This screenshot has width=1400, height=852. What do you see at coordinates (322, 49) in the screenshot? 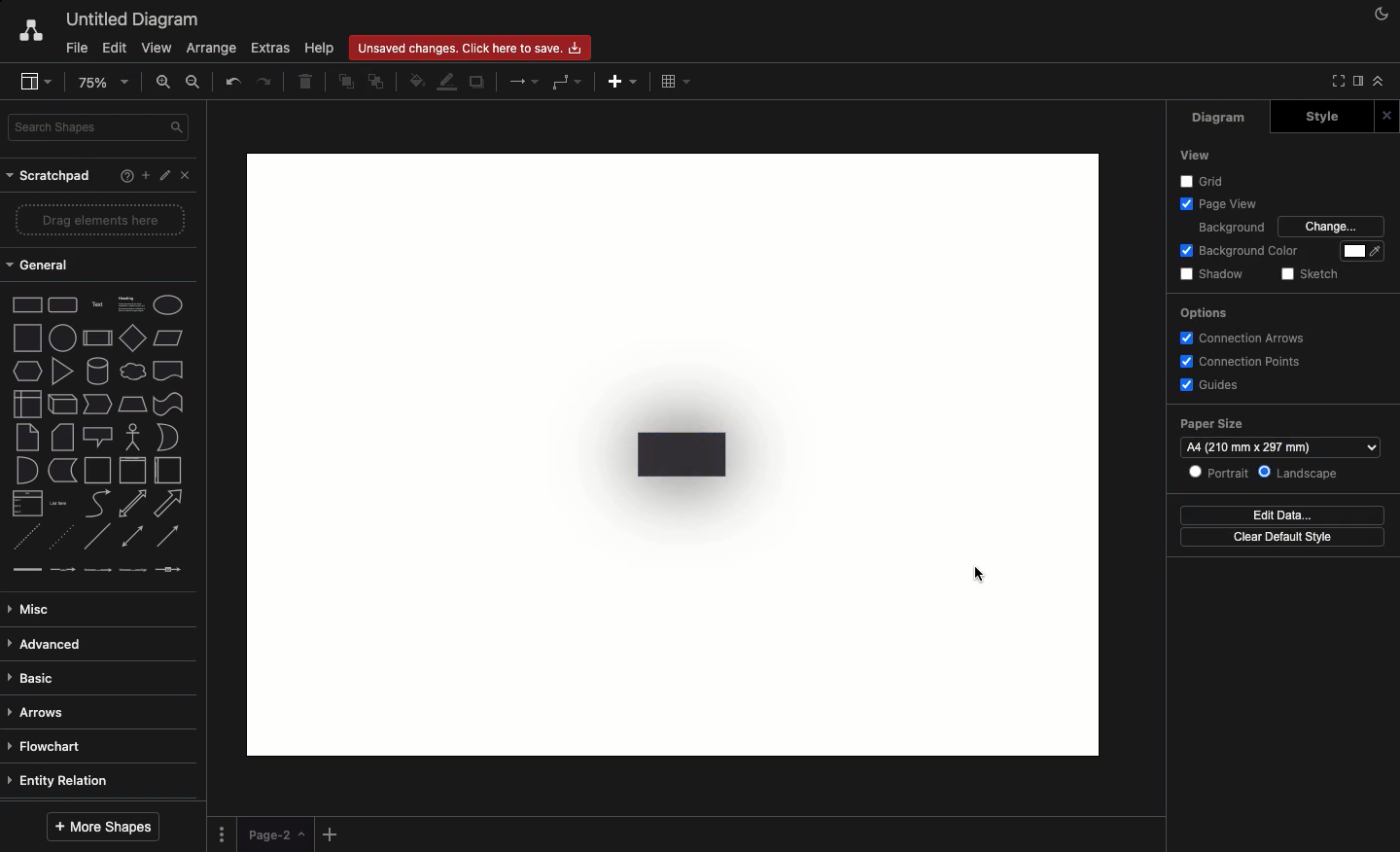
I see `Help` at bounding box center [322, 49].